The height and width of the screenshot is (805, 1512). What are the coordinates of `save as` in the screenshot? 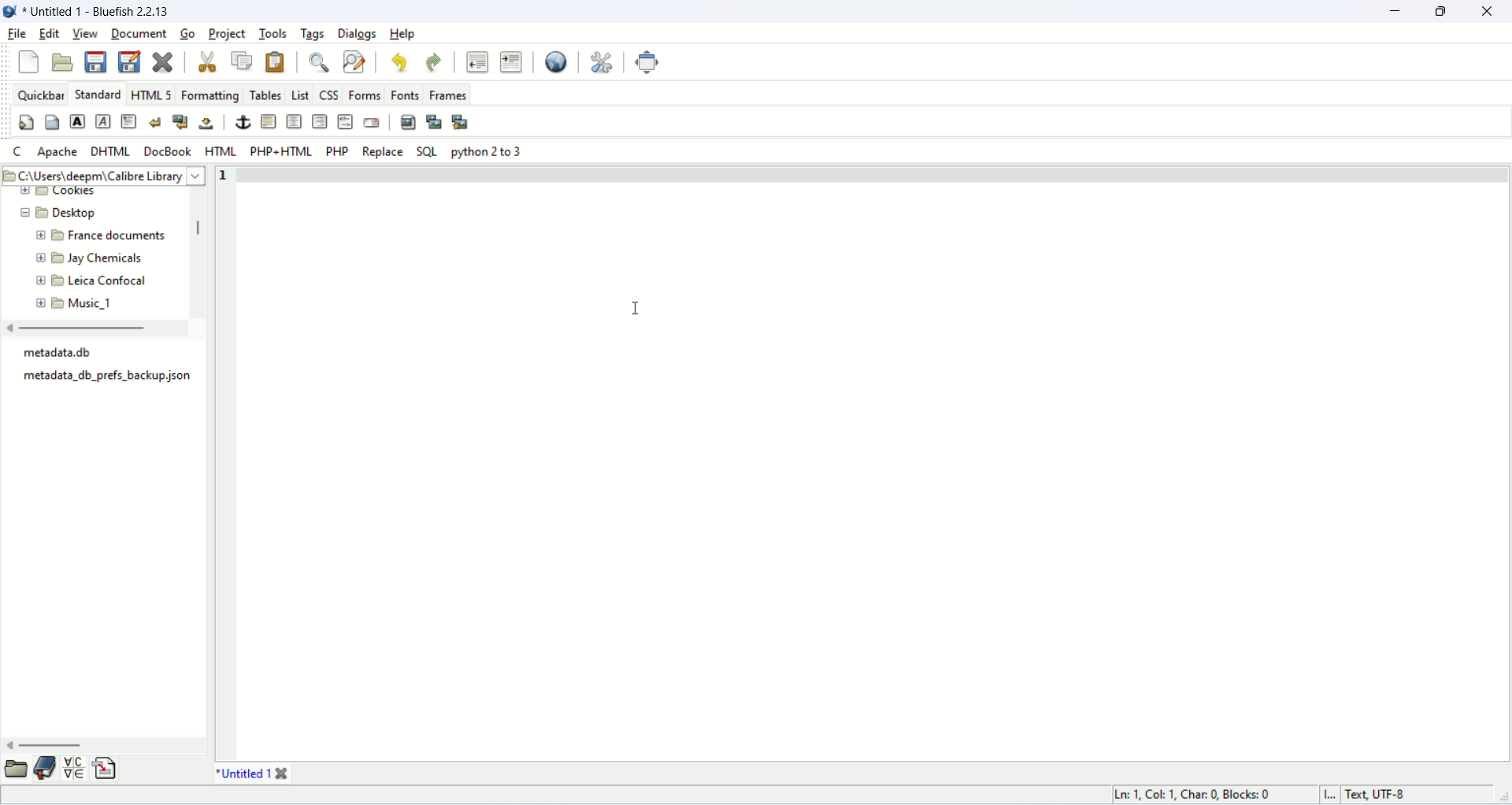 It's located at (130, 61).